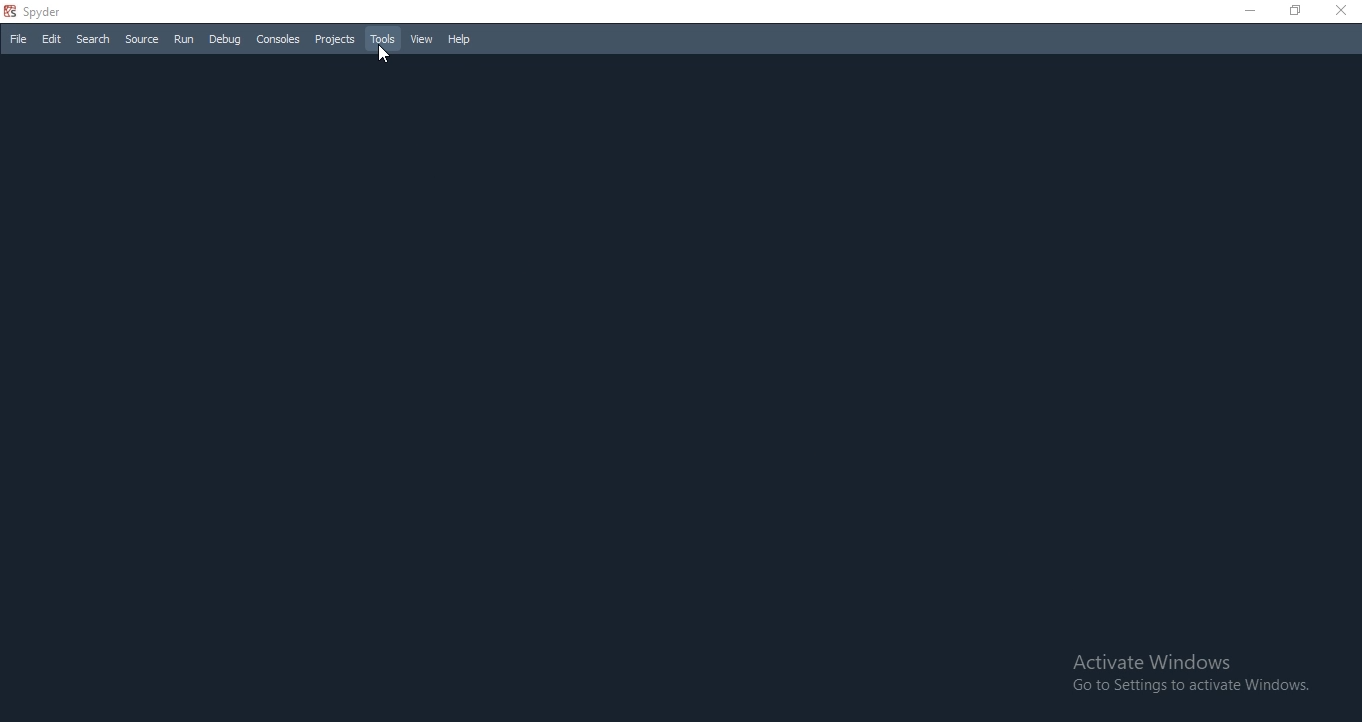 This screenshot has height=722, width=1362. Describe the element at coordinates (420, 39) in the screenshot. I see `View` at that location.